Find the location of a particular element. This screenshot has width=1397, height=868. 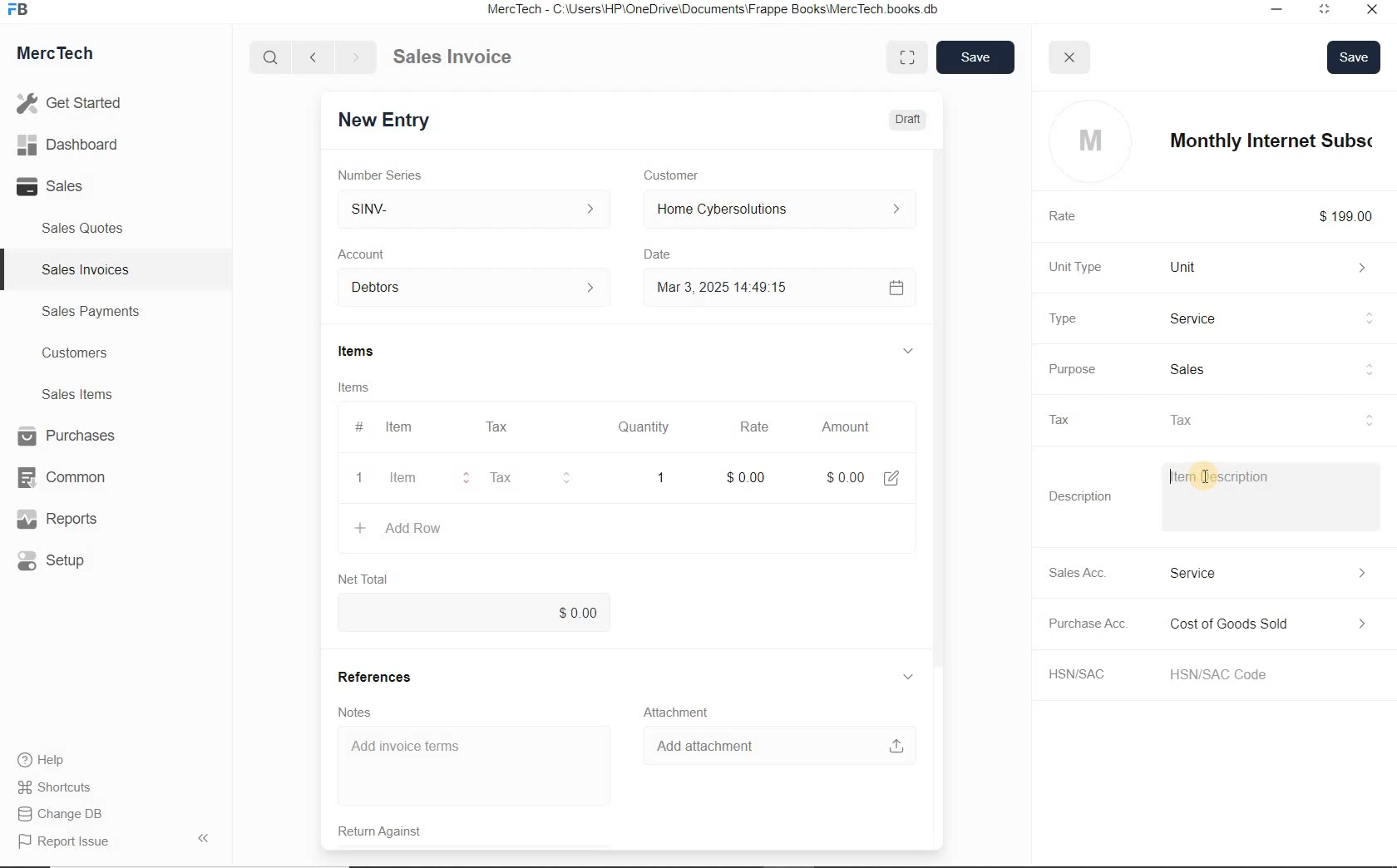

Tax is located at coordinates (496, 427).